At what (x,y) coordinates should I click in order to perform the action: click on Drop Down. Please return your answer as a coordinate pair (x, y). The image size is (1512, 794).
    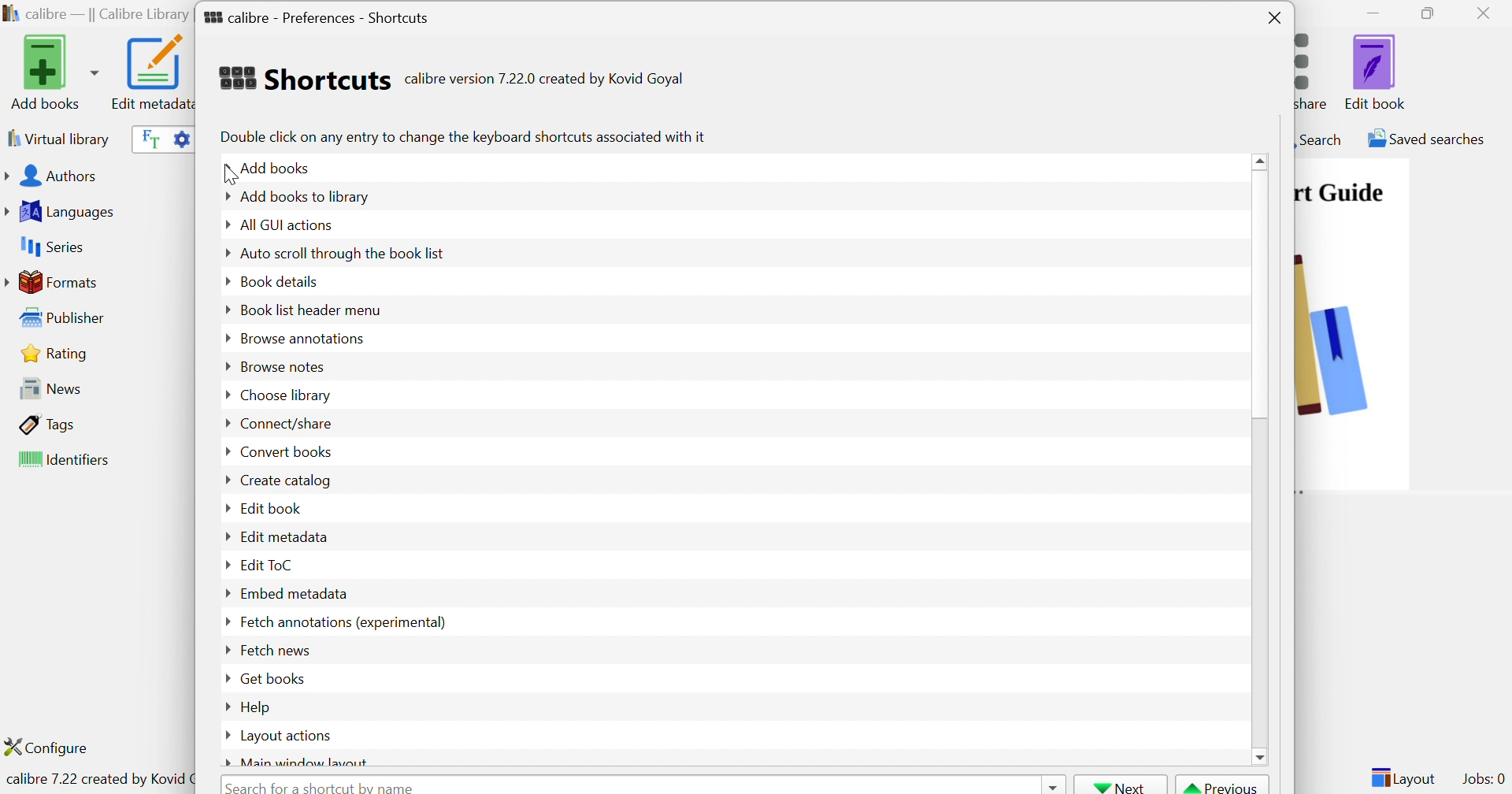
    Looking at the image, I should click on (1051, 785).